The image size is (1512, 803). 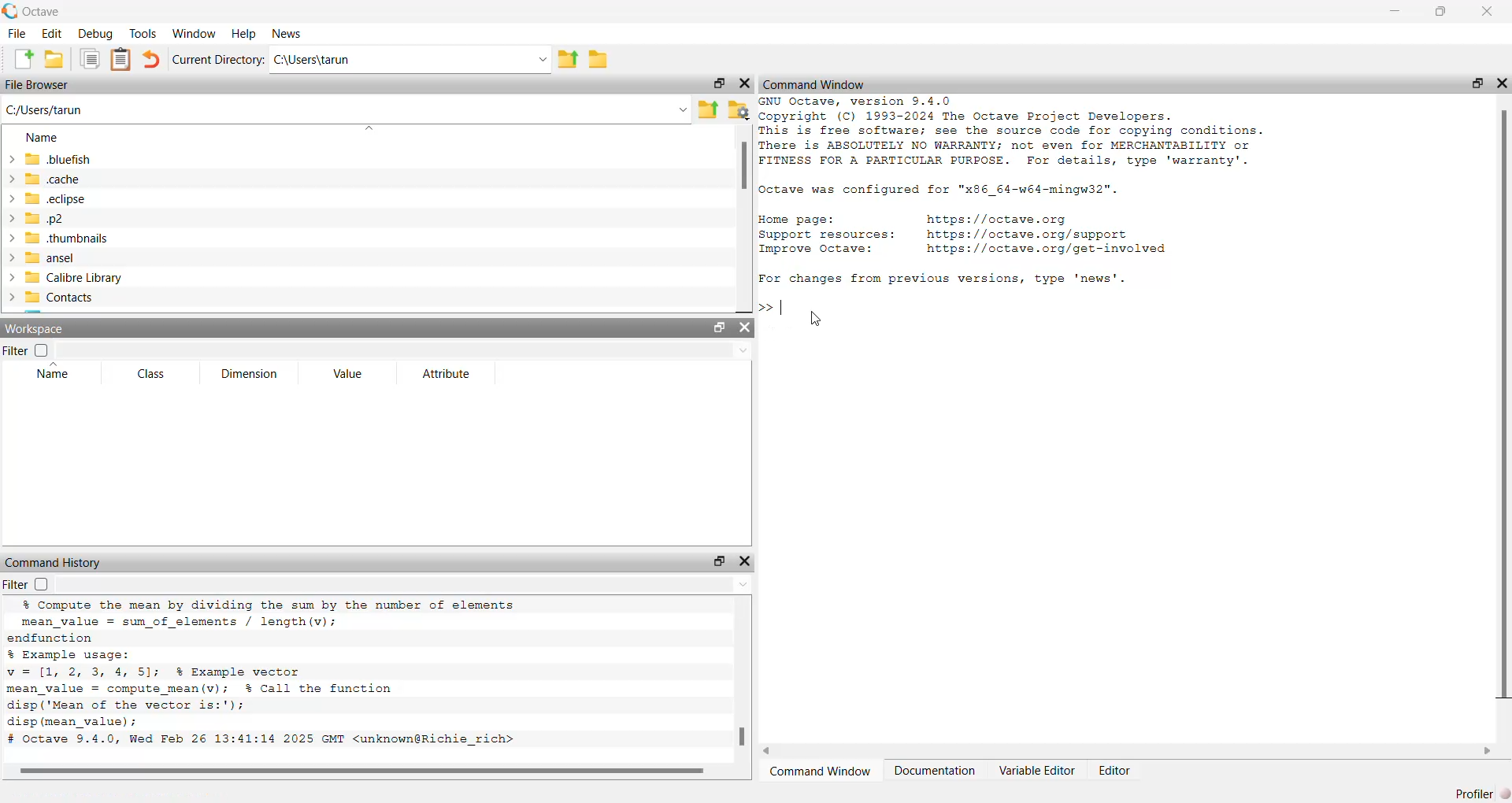 What do you see at coordinates (821, 772) in the screenshot?
I see `Command Window` at bounding box center [821, 772].